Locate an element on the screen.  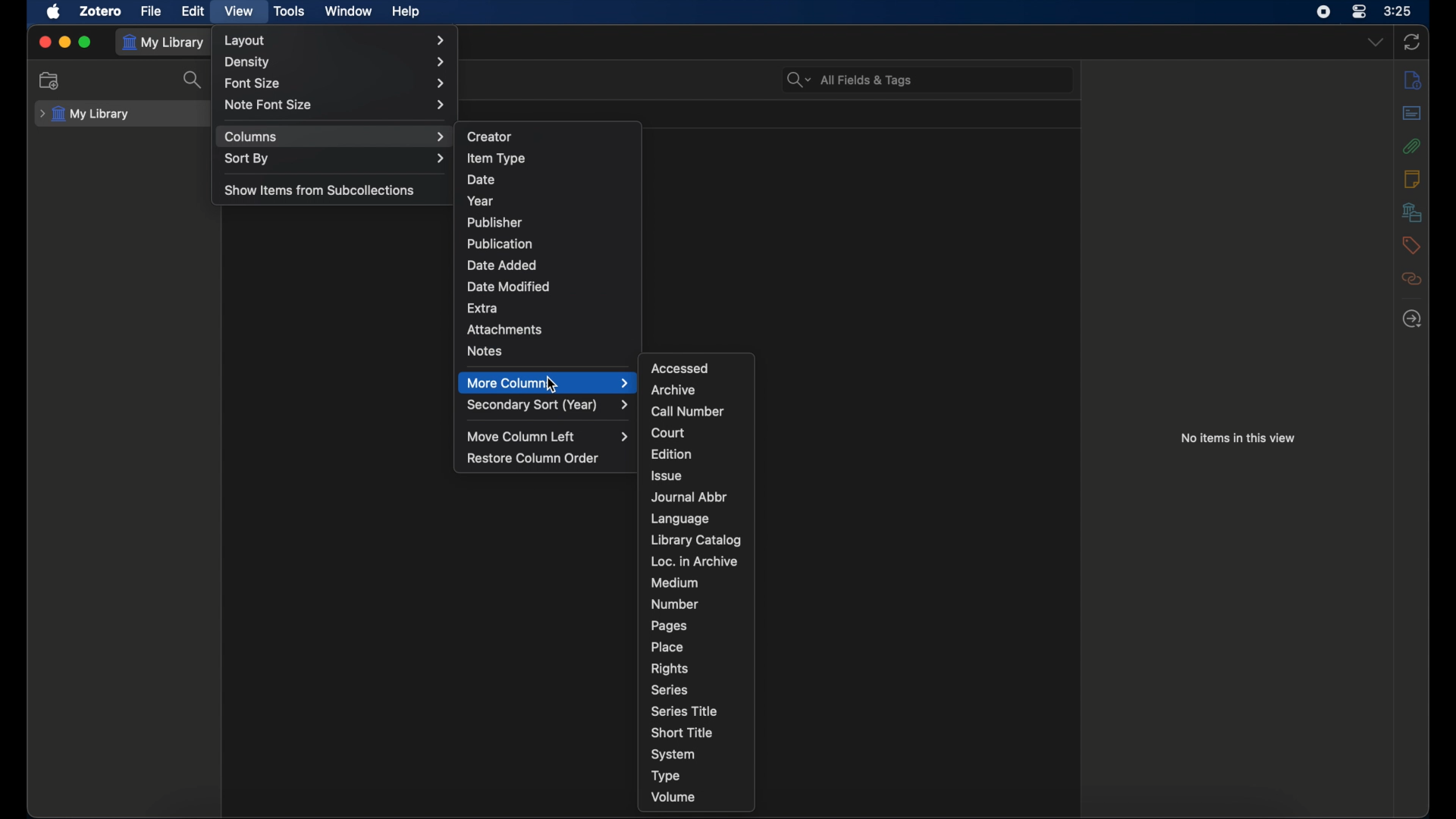
columns is located at coordinates (336, 136).